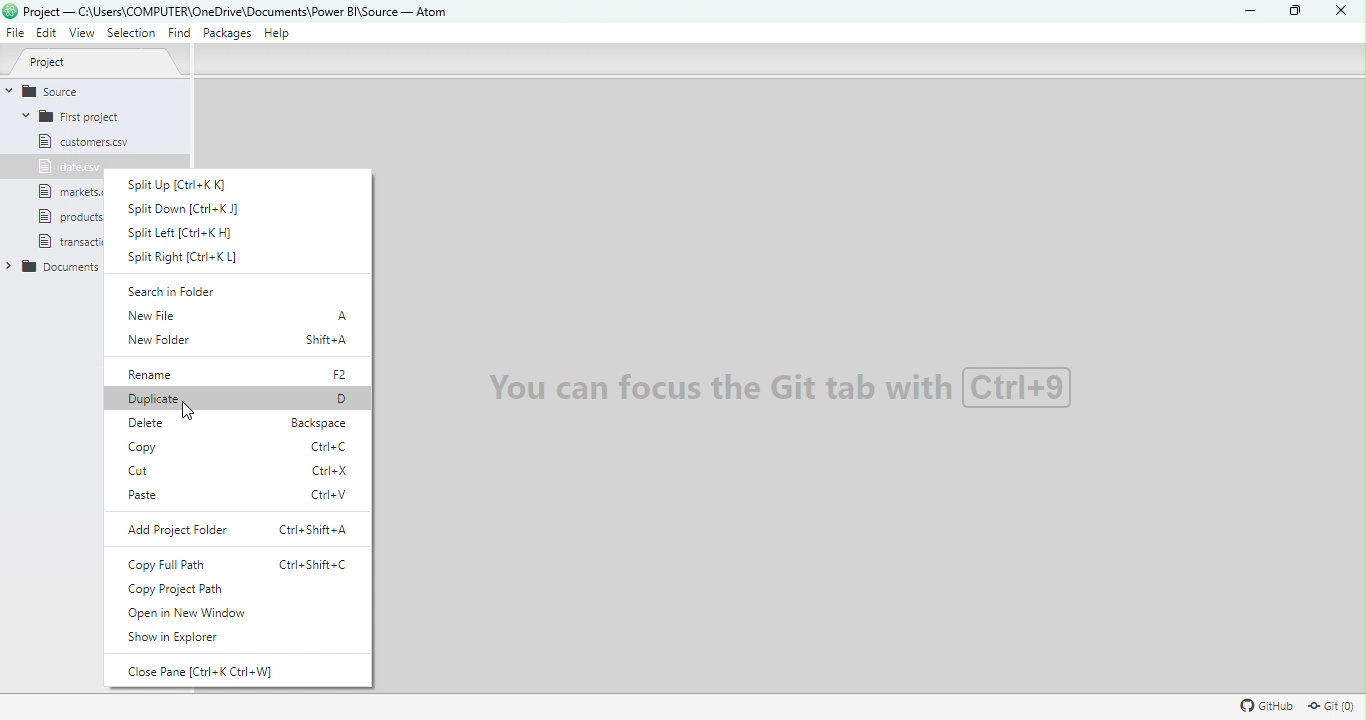 The width and height of the screenshot is (1366, 720). I want to click on New file, so click(238, 319).